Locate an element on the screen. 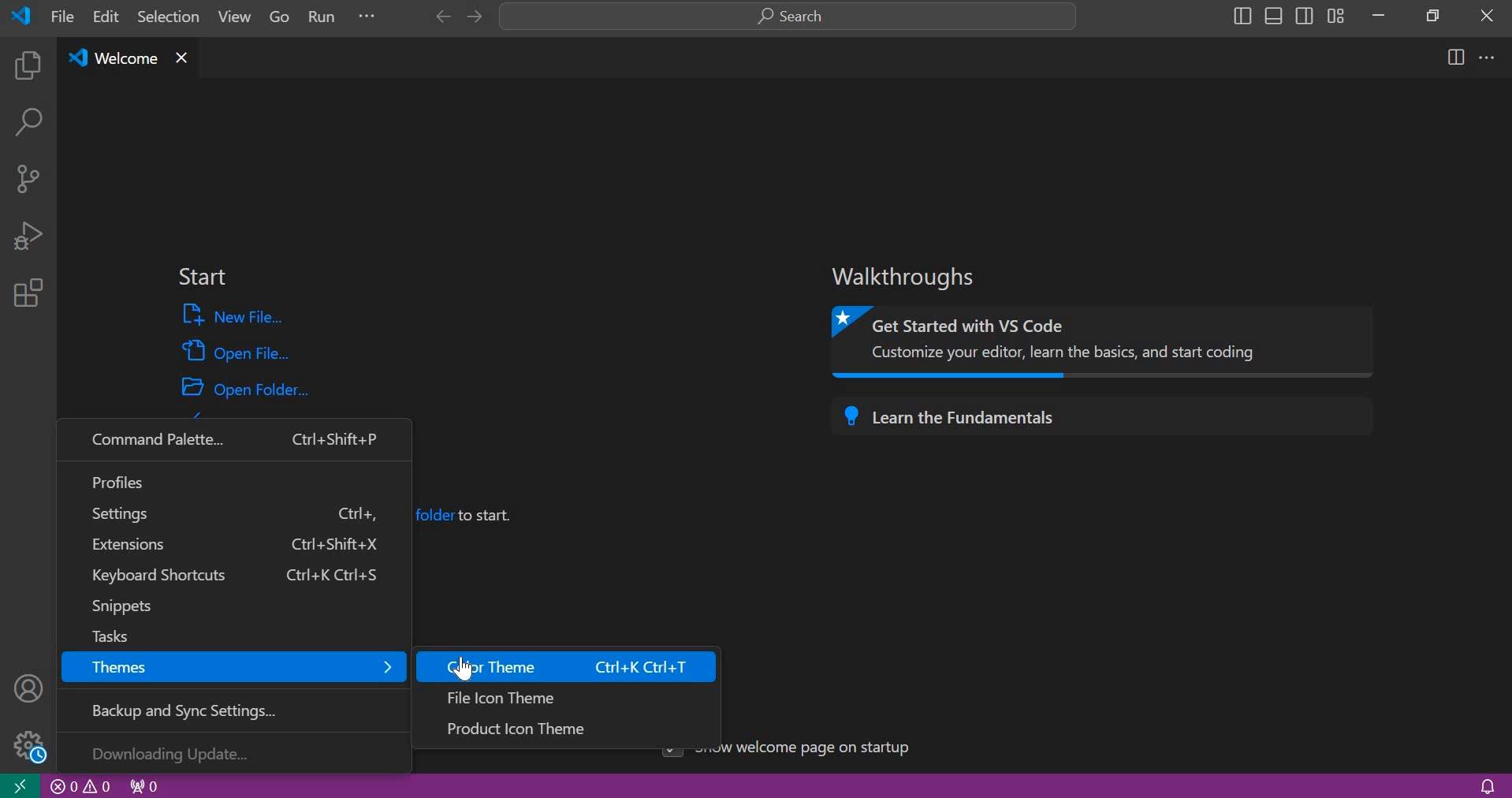 The height and width of the screenshot is (798, 1512). get started with VS Code is located at coordinates (1107, 342).